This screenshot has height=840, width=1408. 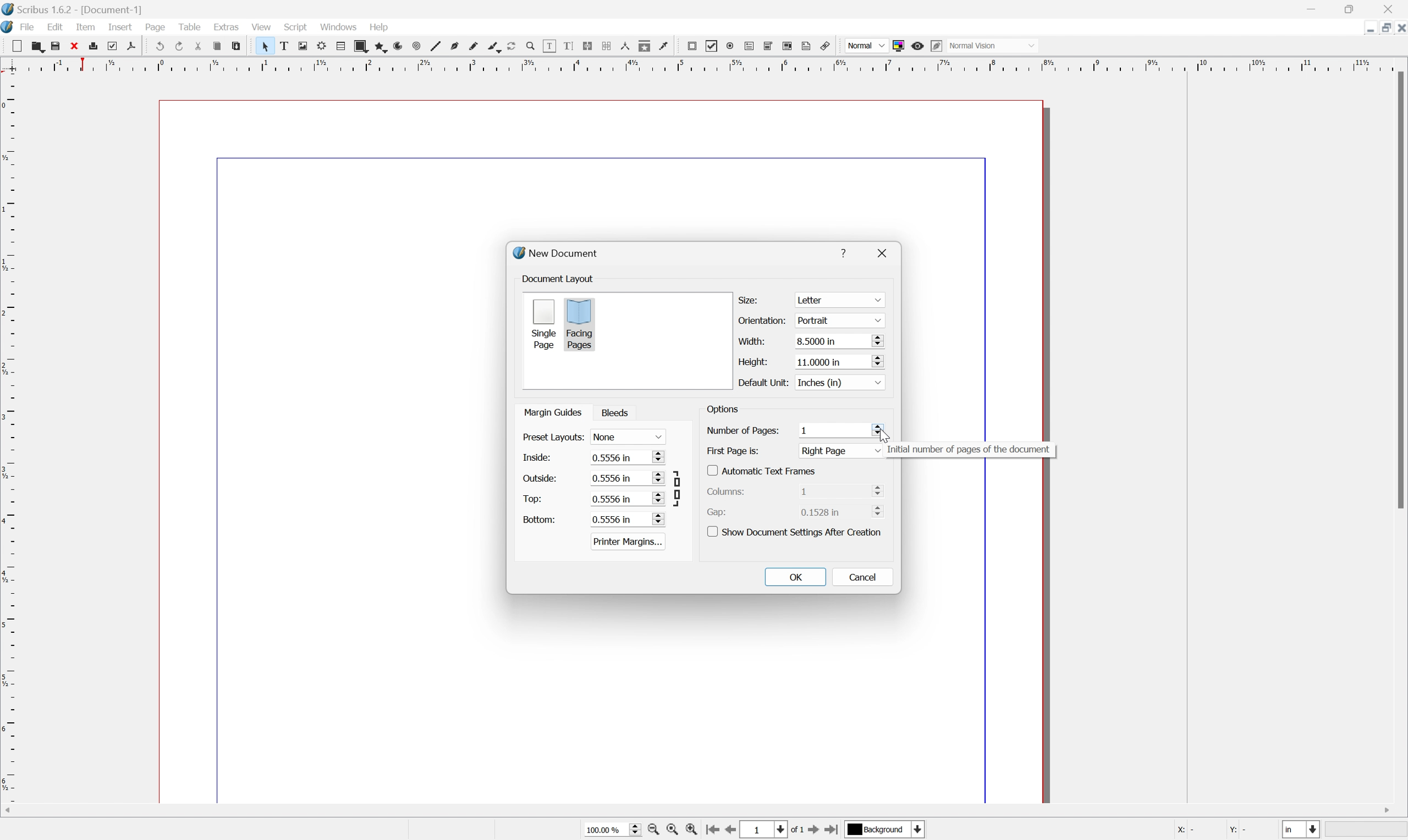 I want to click on left:, so click(x=537, y=458).